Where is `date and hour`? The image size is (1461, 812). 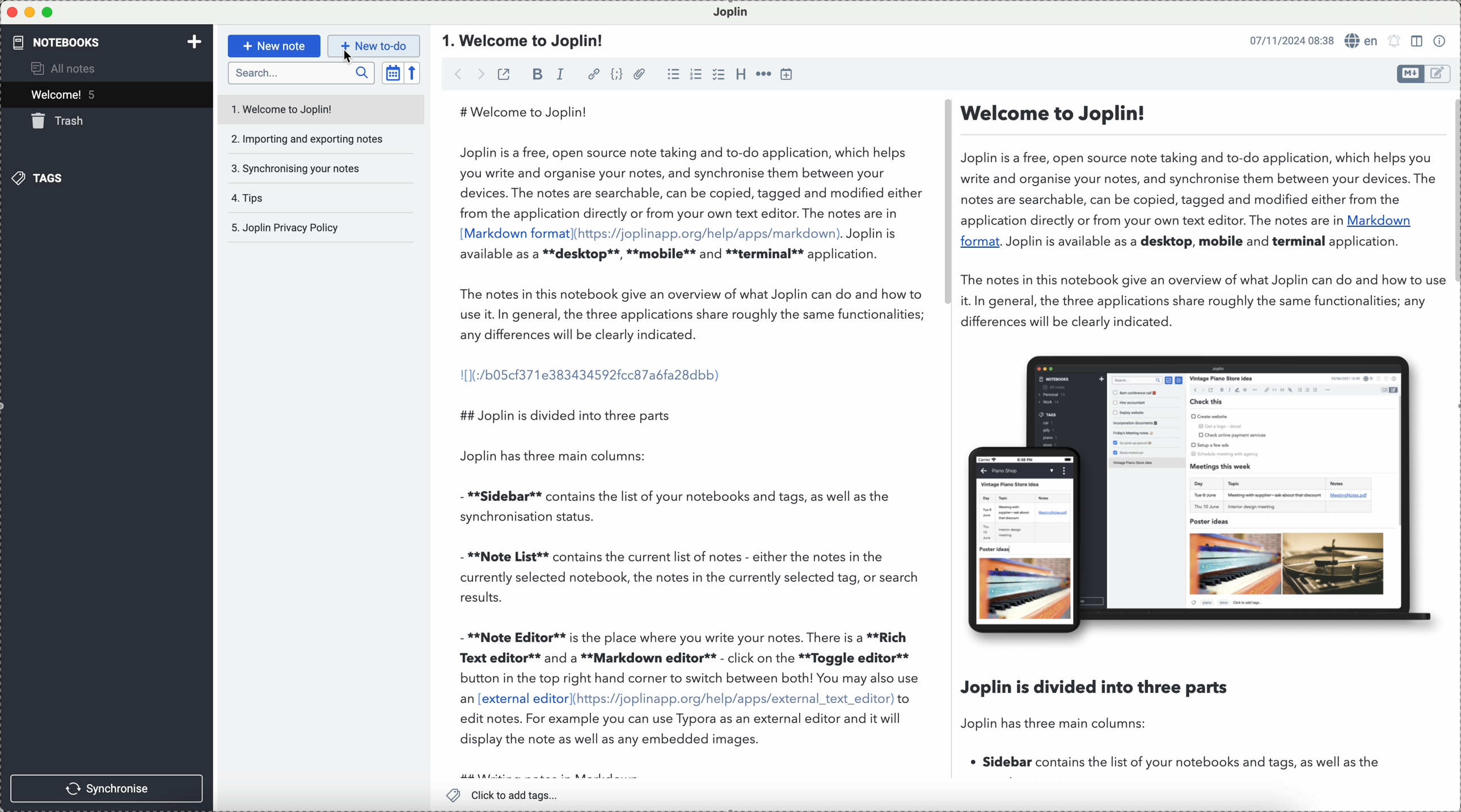
date and hour is located at coordinates (1292, 40).